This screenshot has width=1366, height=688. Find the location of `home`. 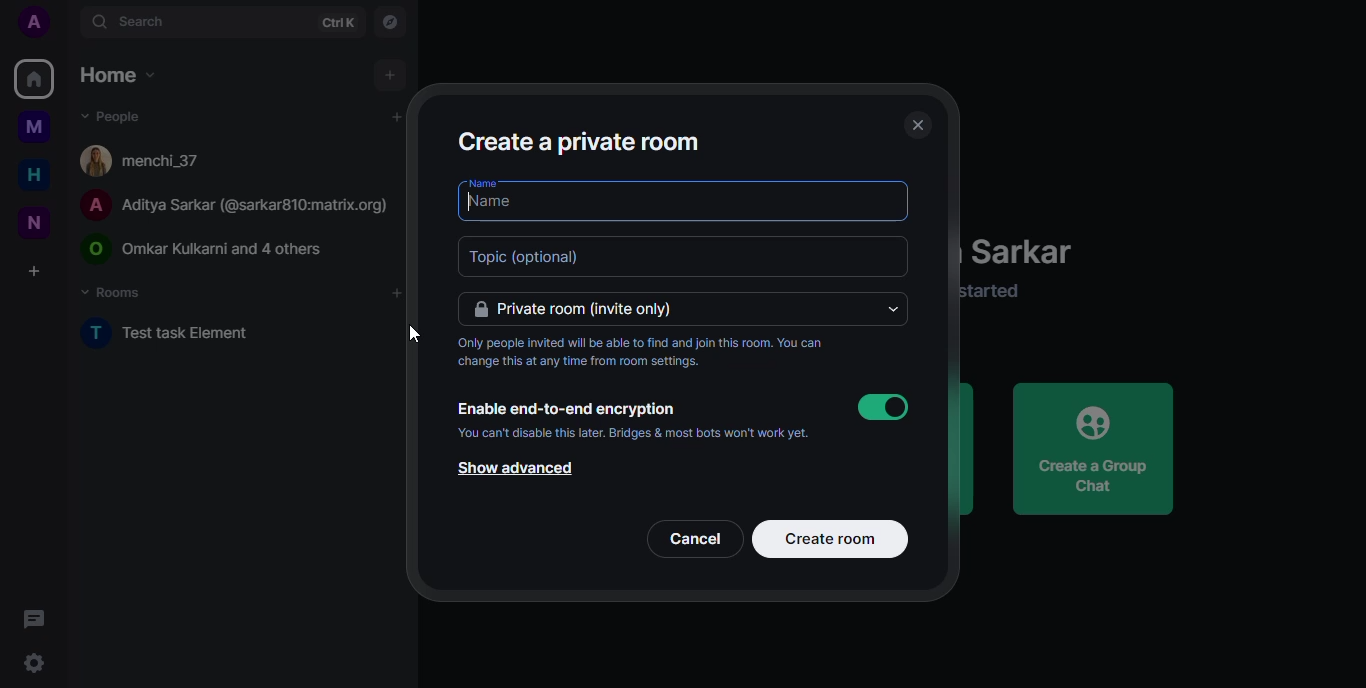

home is located at coordinates (33, 79).